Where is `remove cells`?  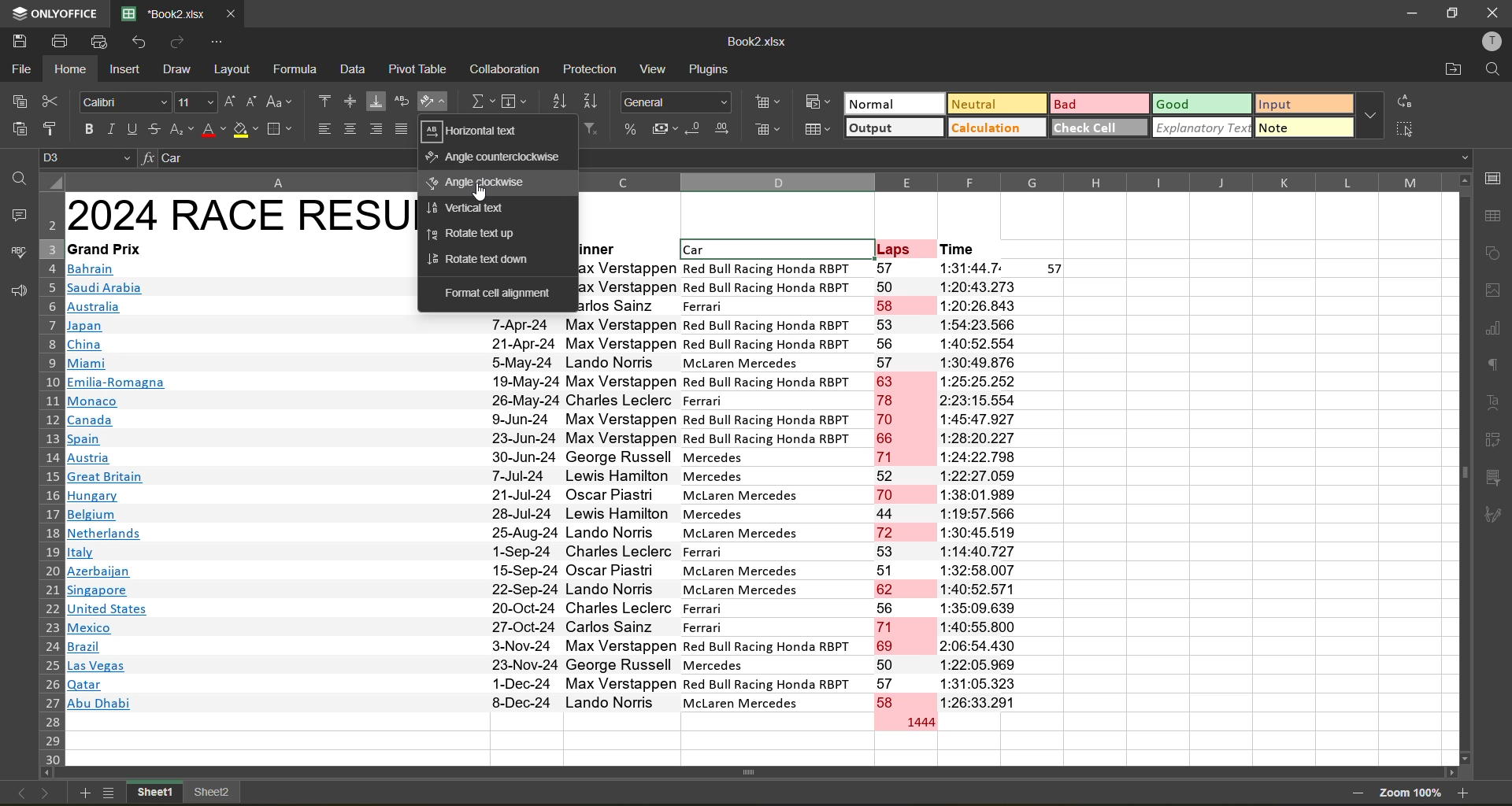
remove cells is located at coordinates (770, 134).